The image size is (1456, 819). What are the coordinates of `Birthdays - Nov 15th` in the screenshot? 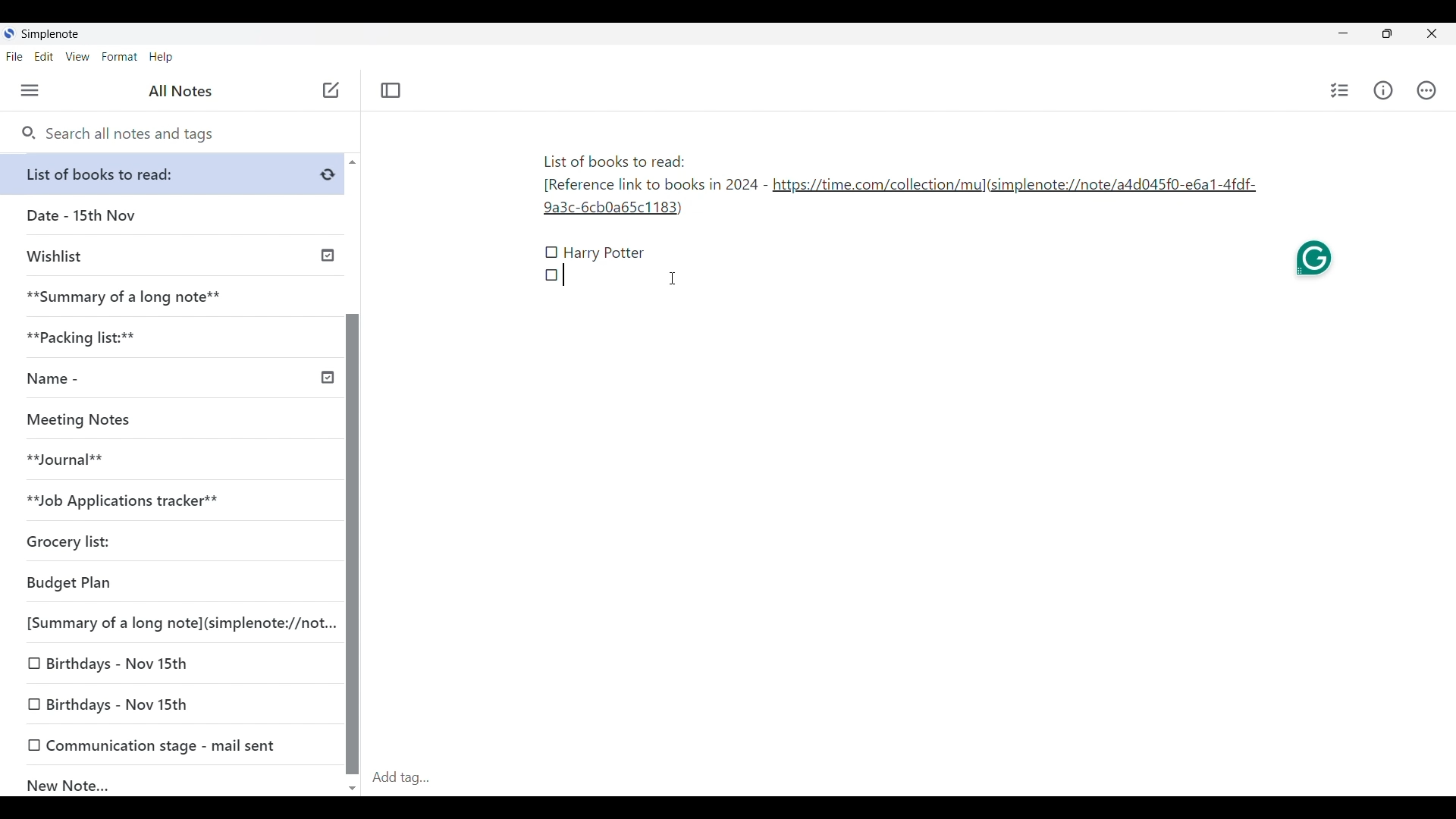 It's located at (174, 705).